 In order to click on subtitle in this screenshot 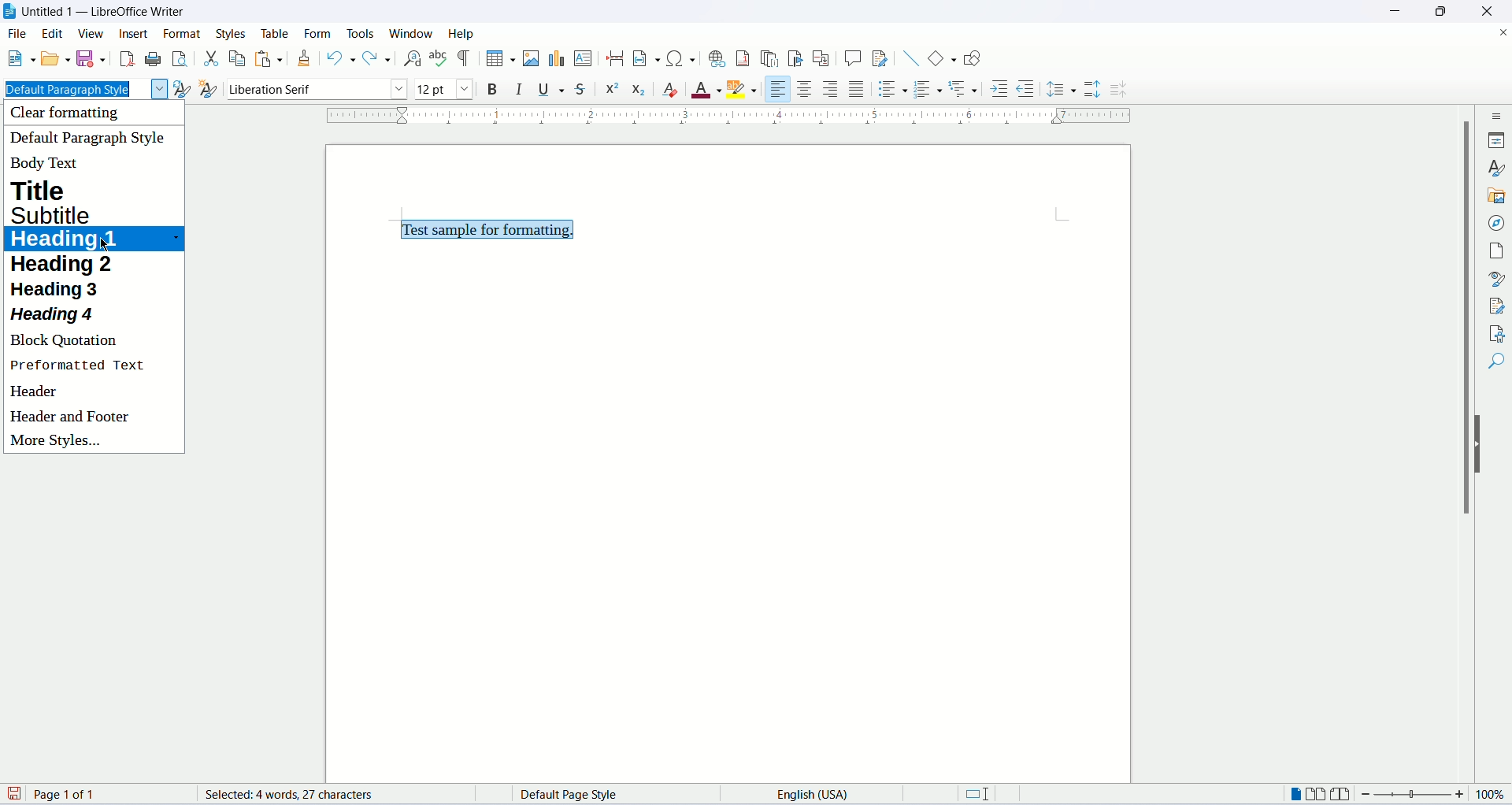, I will do `click(55, 213)`.